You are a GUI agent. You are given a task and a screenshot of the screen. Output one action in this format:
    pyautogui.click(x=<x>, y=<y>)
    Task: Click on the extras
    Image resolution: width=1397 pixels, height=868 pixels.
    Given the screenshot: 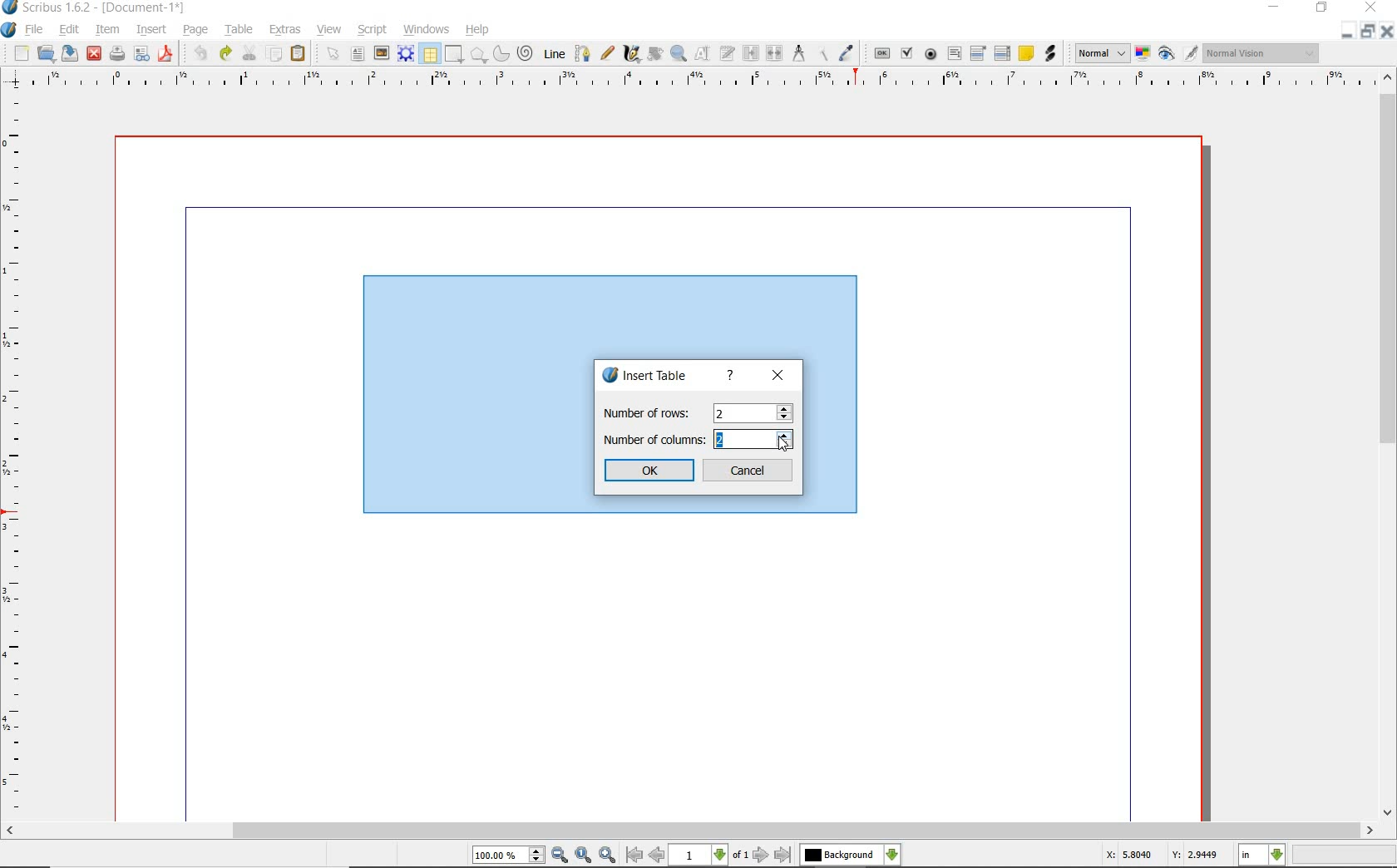 What is the action you would take?
    pyautogui.click(x=285, y=30)
    